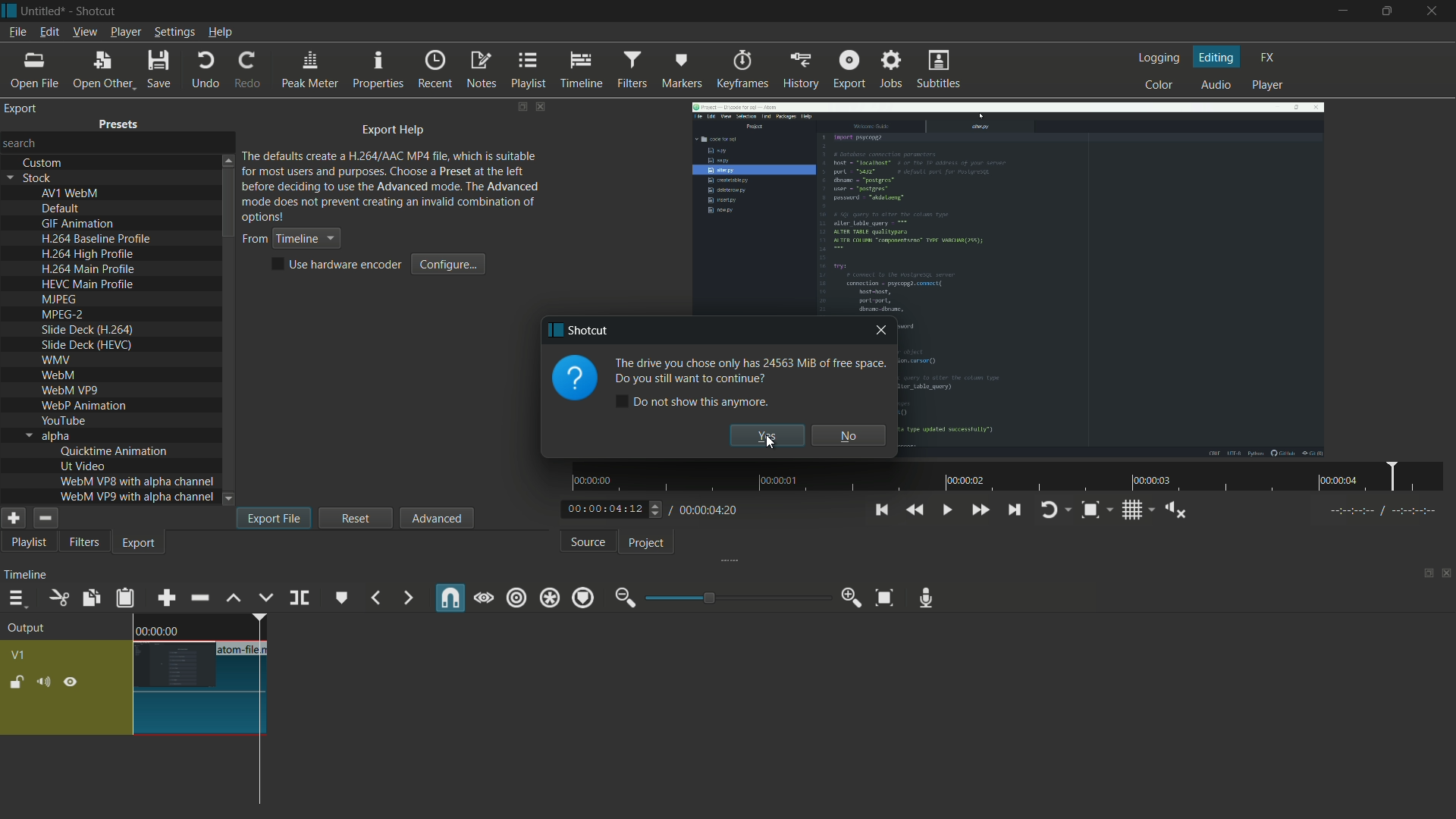  What do you see at coordinates (230, 499) in the screenshot?
I see `scroll down` at bounding box center [230, 499].